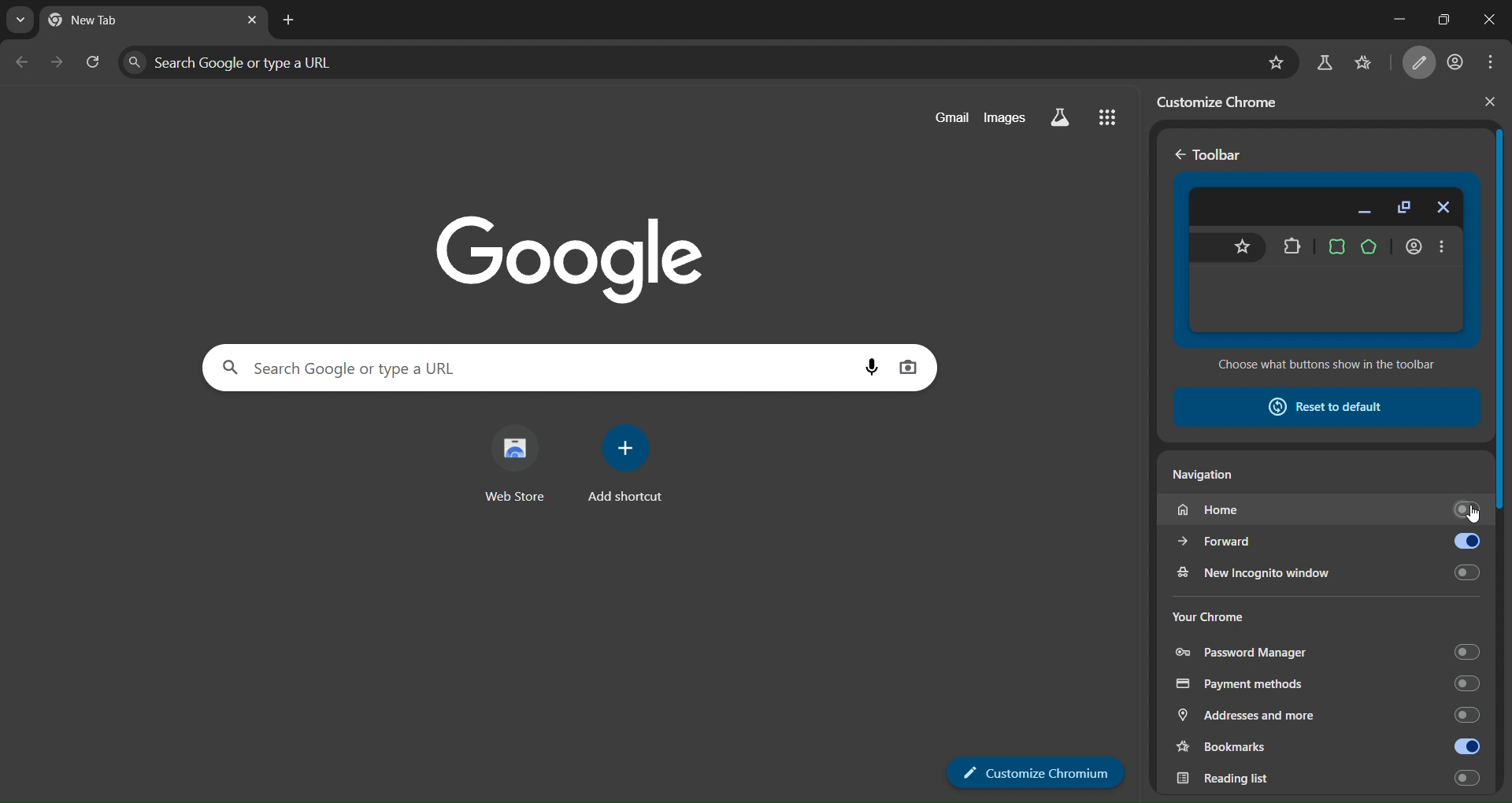 The width and height of the screenshot is (1512, 803). What do you see at coordinates (1008, 117) in the screenshot?
I see `images` at bounding box center [1008, 117].